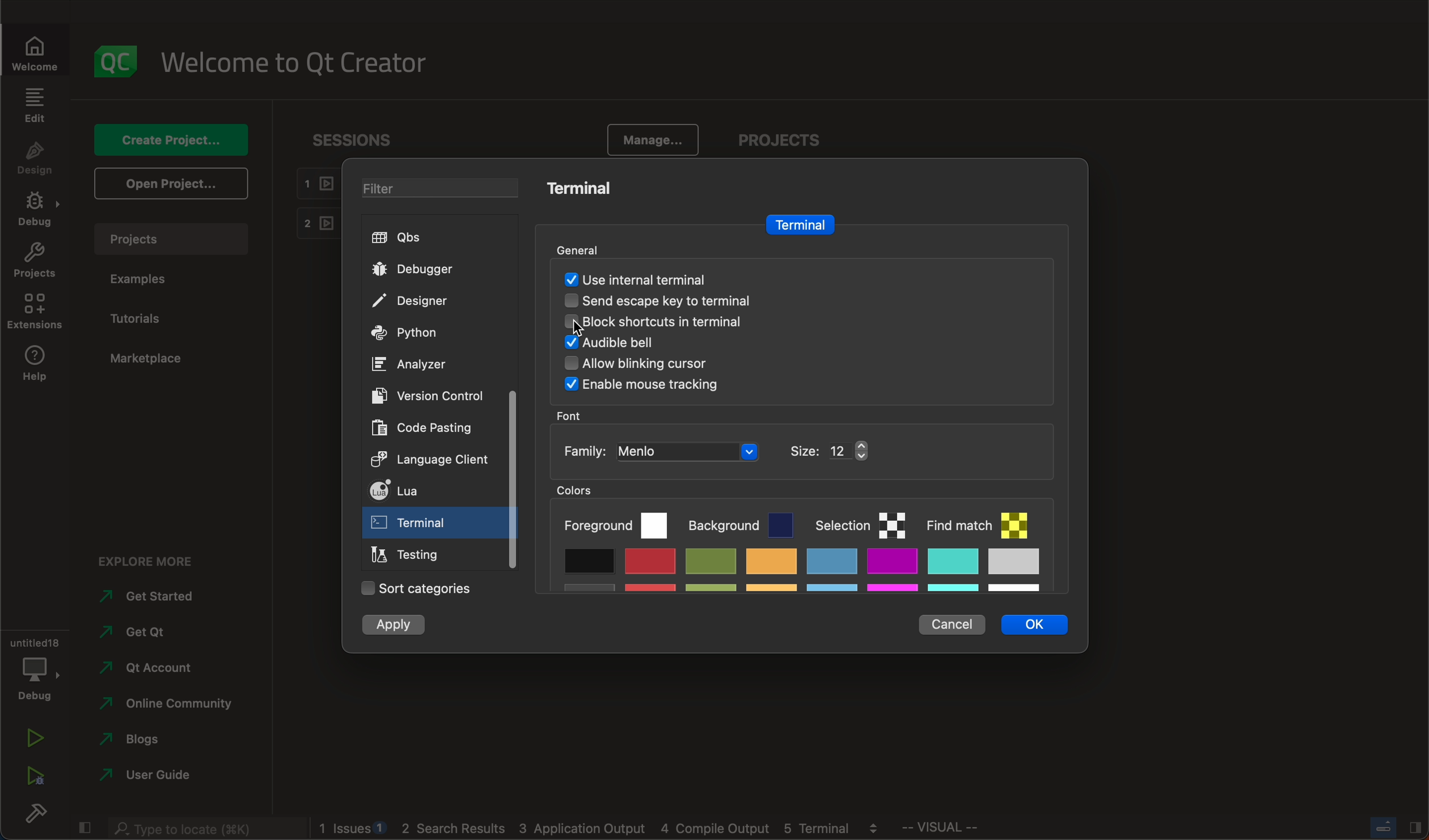  What do you see at coordinates (413, 590) in the screenshot?
I see `categories` at bounding box center [413, 590].